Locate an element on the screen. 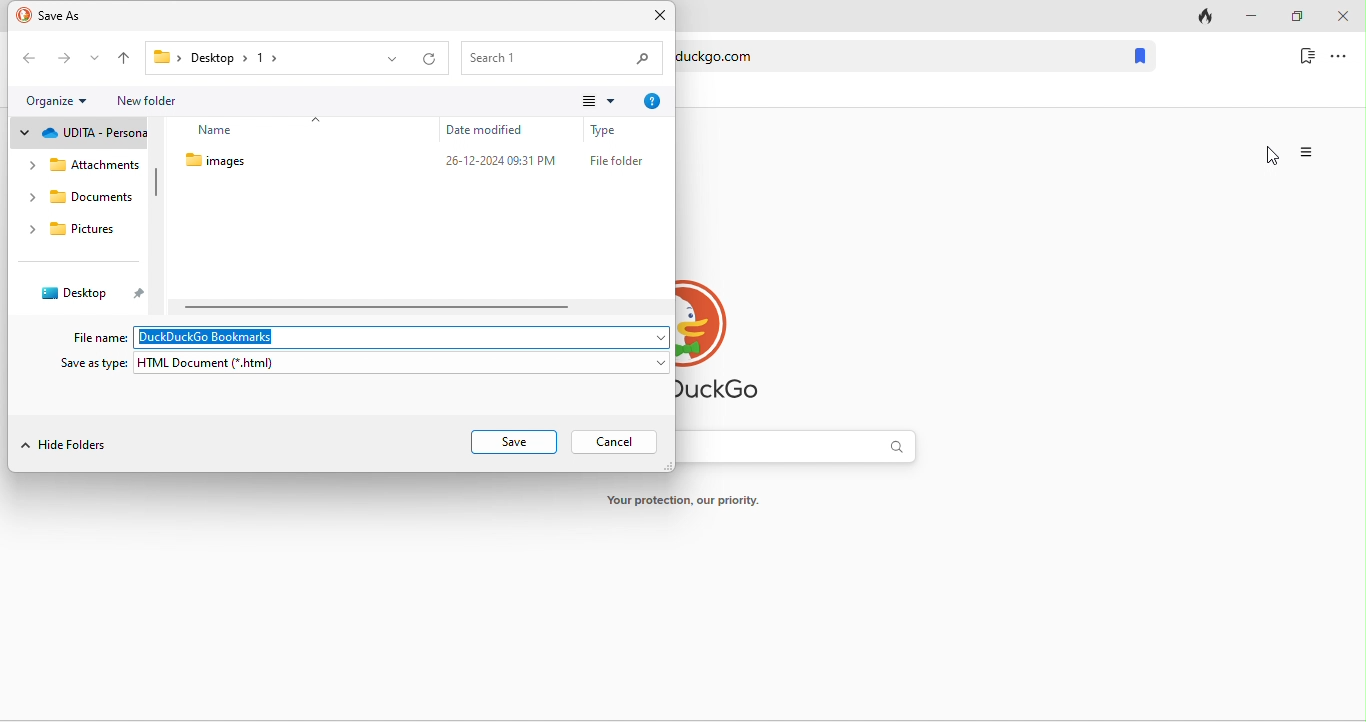 This screenshot has width=1366, height=722. up to is located at coordinates (123, 58).